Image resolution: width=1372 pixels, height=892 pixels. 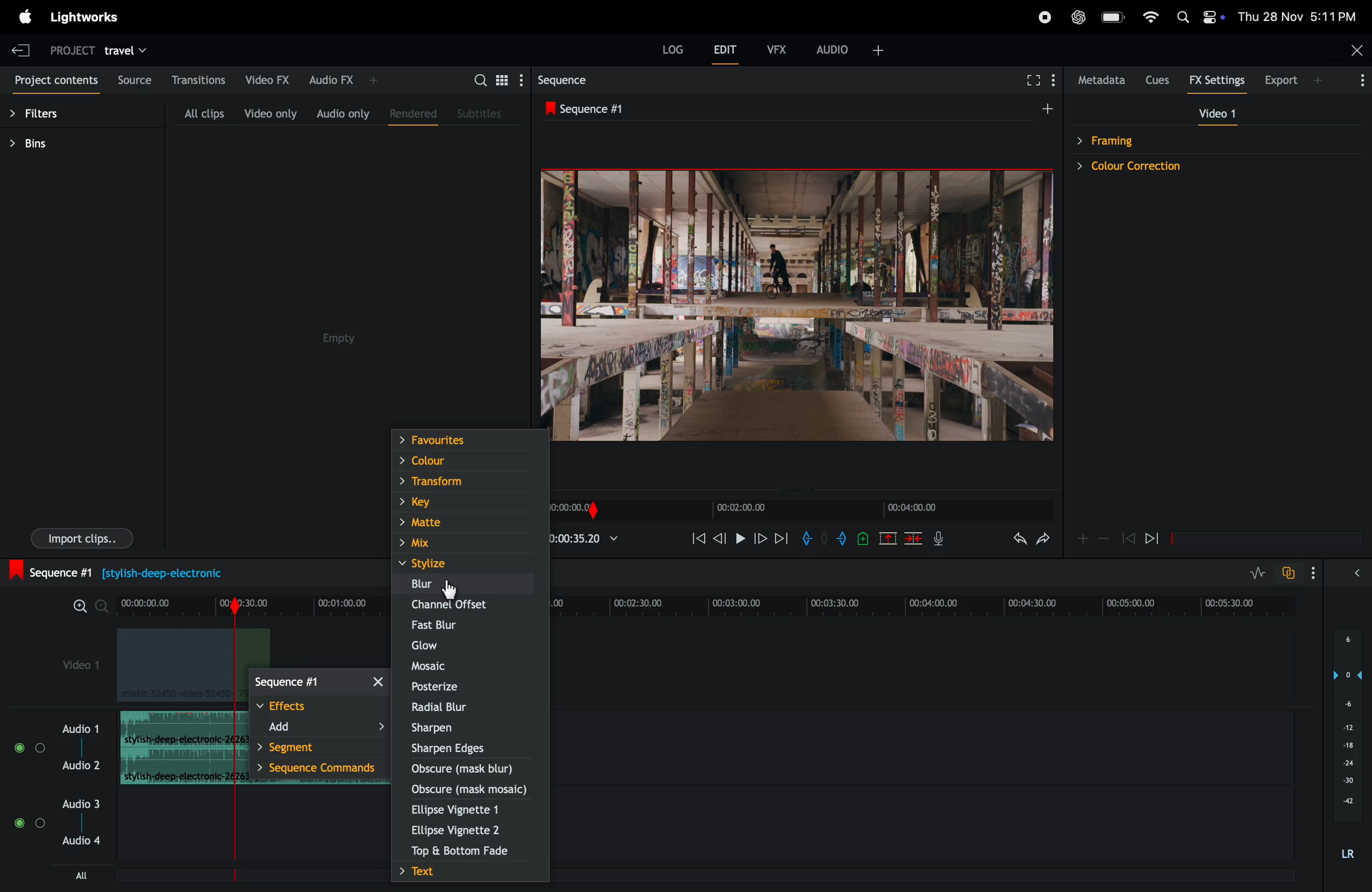 What do you see at coordinates (469, 687) in the screenshot?
I see `postrize` at bounding box center [469, 687].